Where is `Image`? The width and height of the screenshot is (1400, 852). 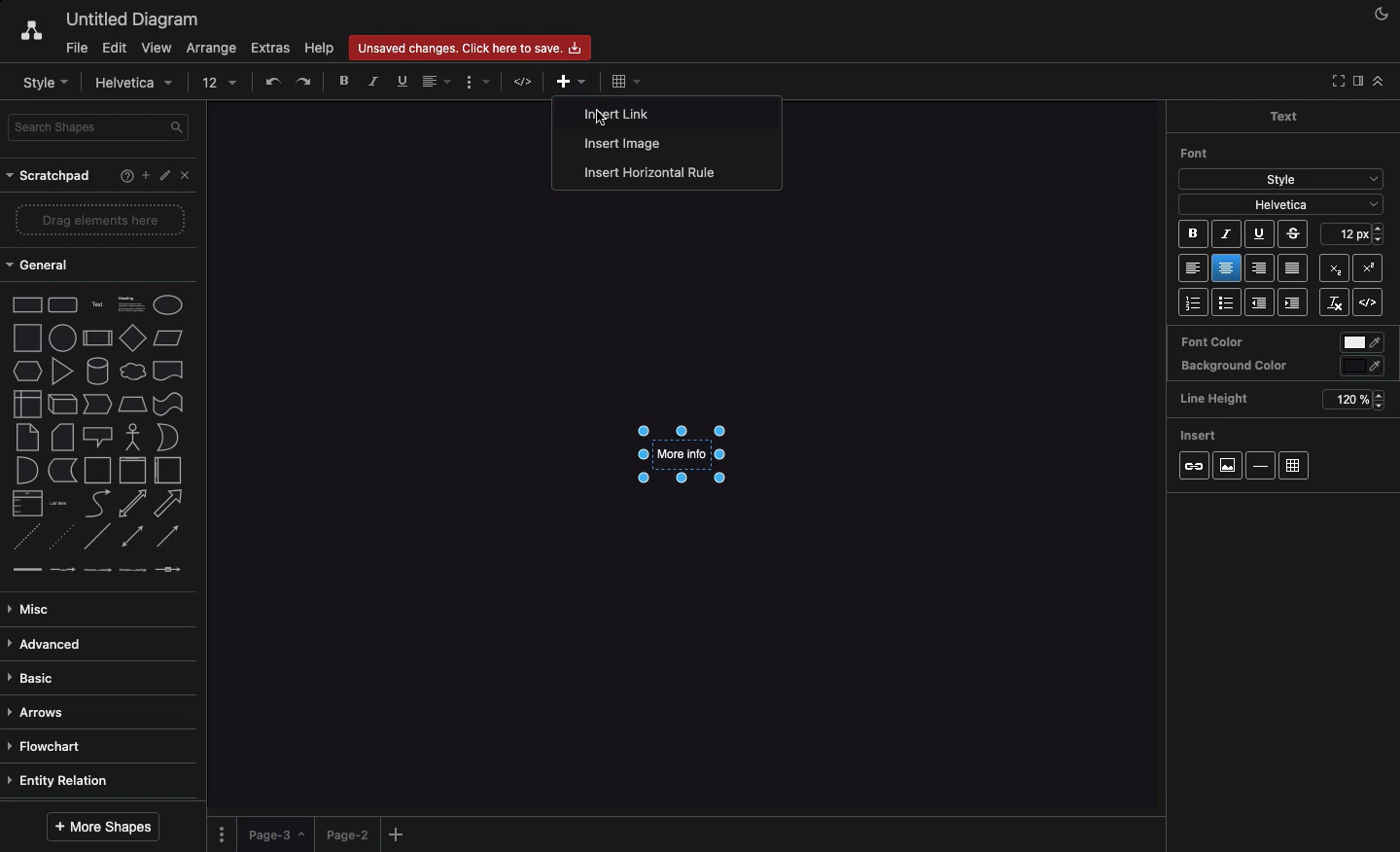
Image is located at coordinates (1226, 465).